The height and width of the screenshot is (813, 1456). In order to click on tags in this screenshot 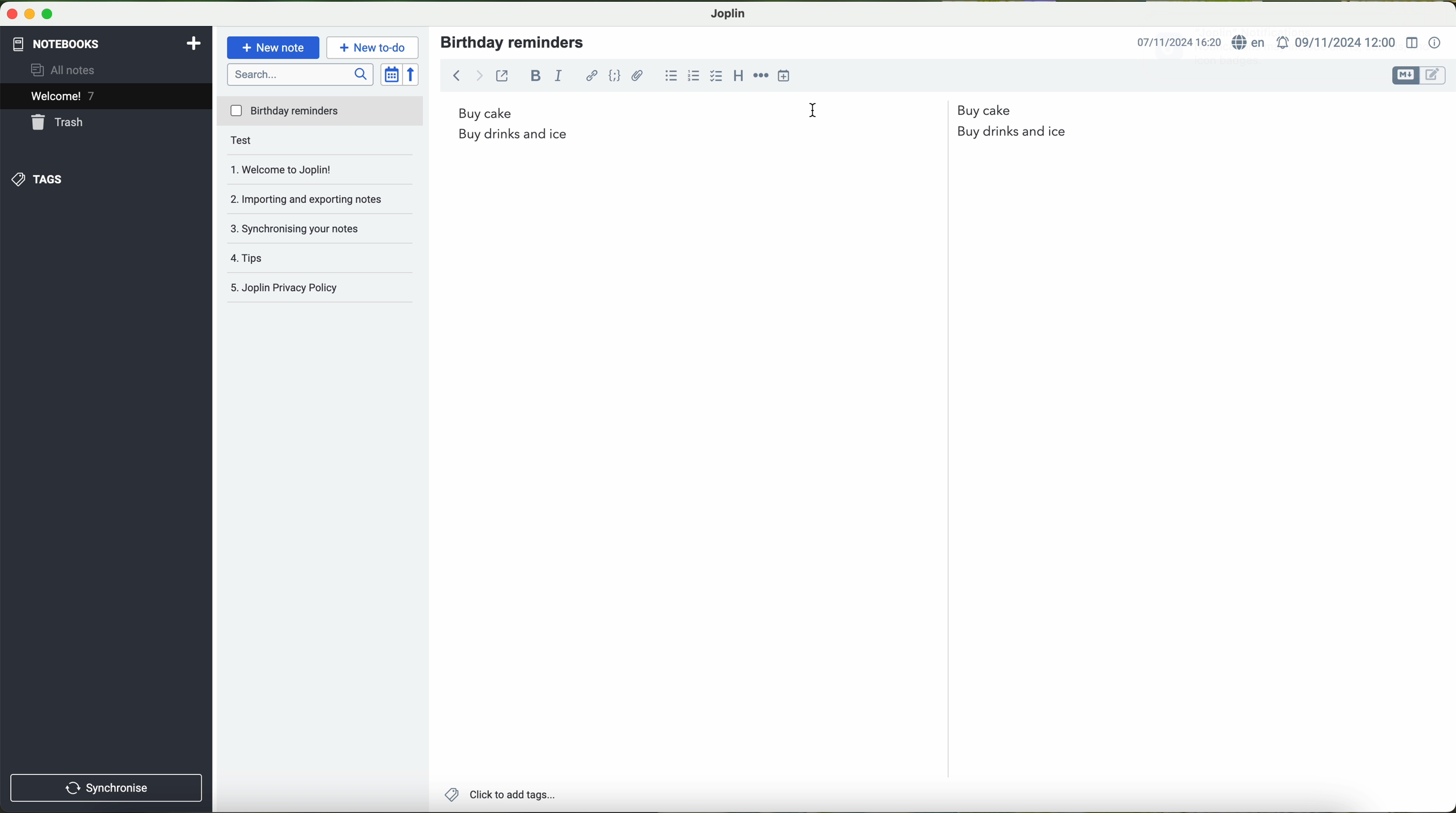, I will do `click(42, 178)`.